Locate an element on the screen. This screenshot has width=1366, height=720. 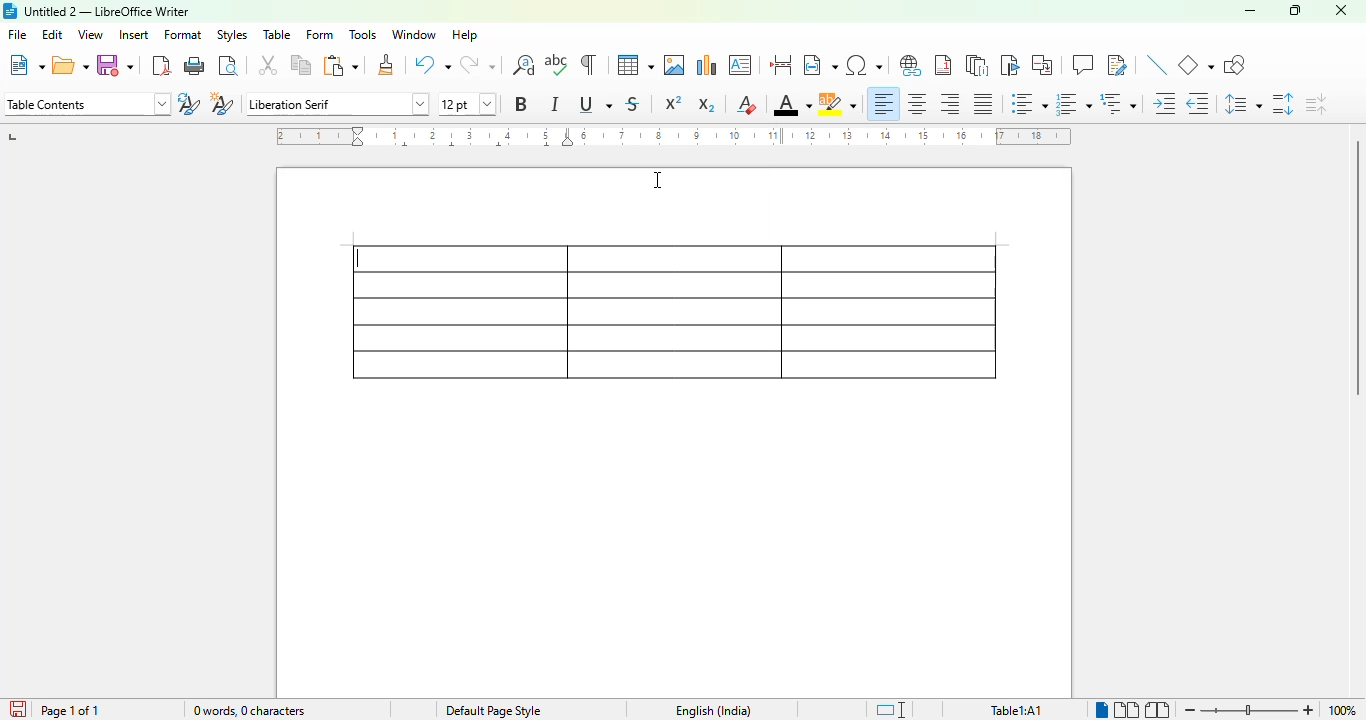
insert hyperlink is located at coordinates (911, 65).